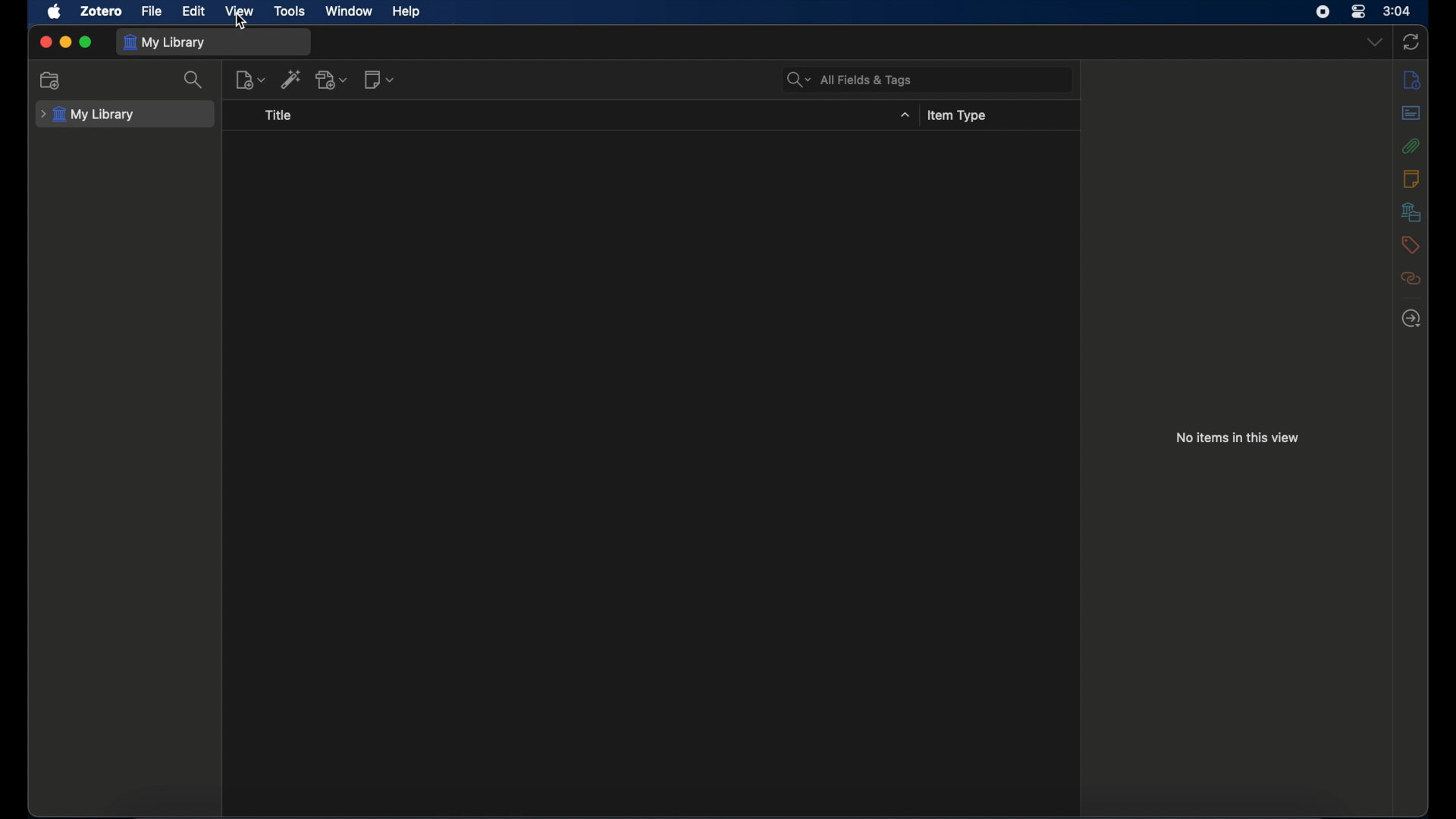 This screenshot has height=819, width=1456. Describe the element at coordinates (240, 21) in the screenshot. I see `cursor` at that location.